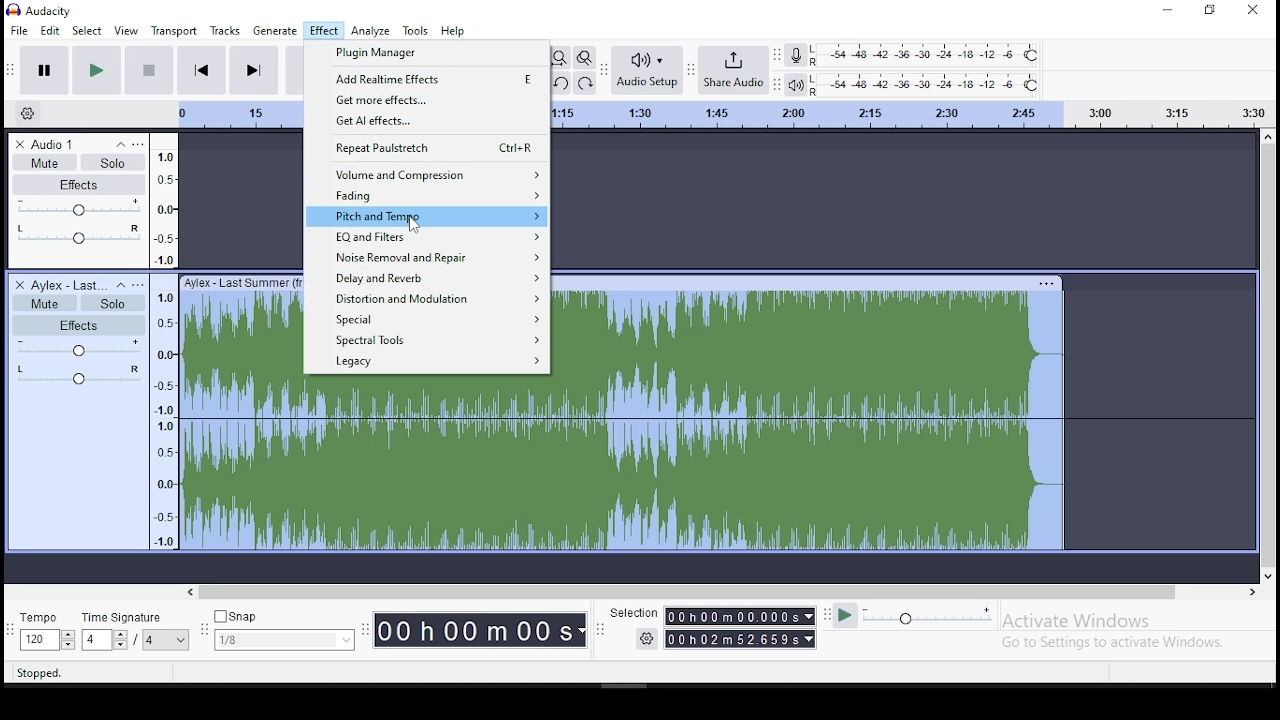  I want to click on noise removal and repair, so click(427, 258).